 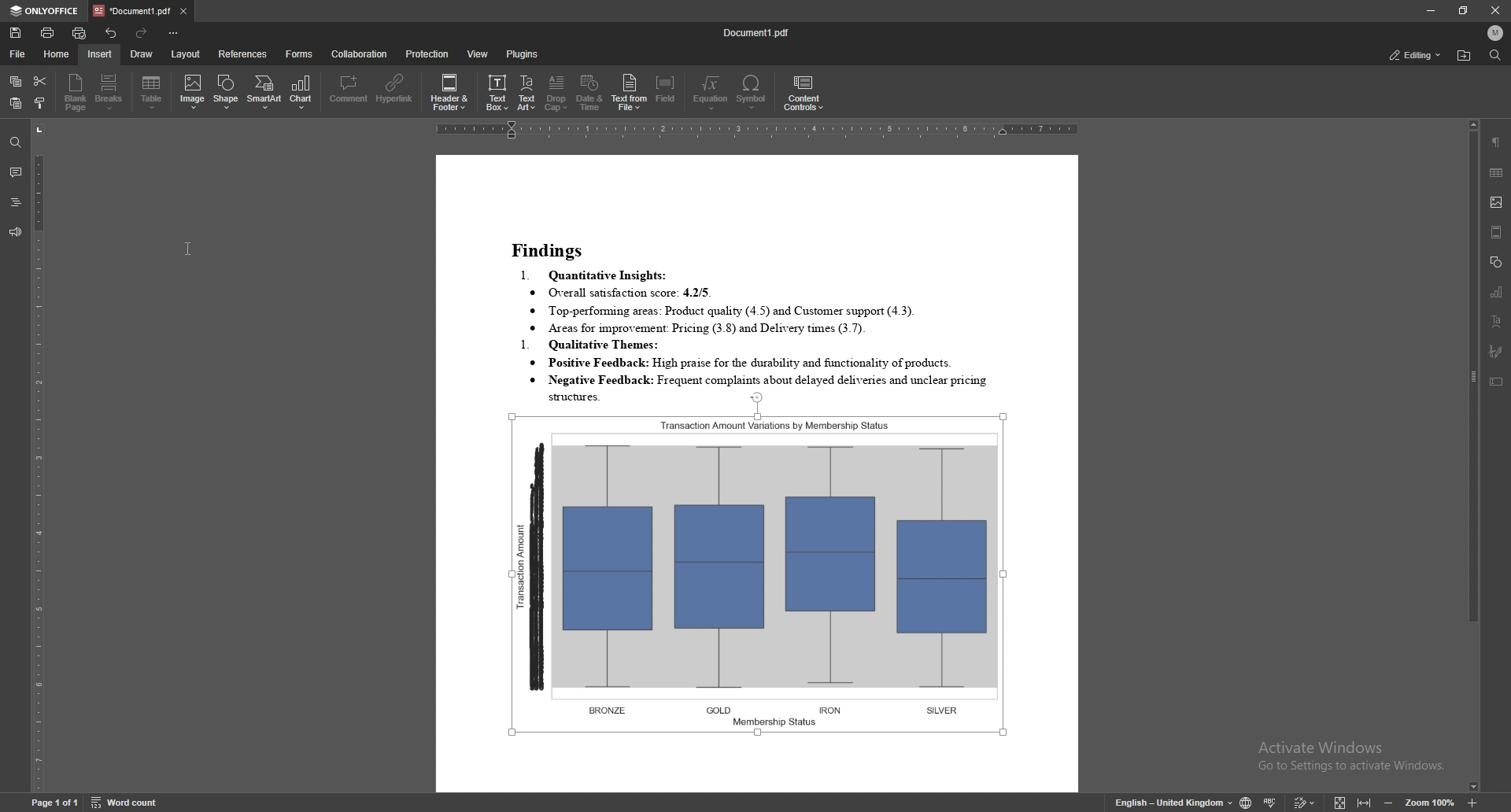 What do you see at coordinates (807, 93) in the screenshot?
I see `content controls` at bounding box center [807, 93].